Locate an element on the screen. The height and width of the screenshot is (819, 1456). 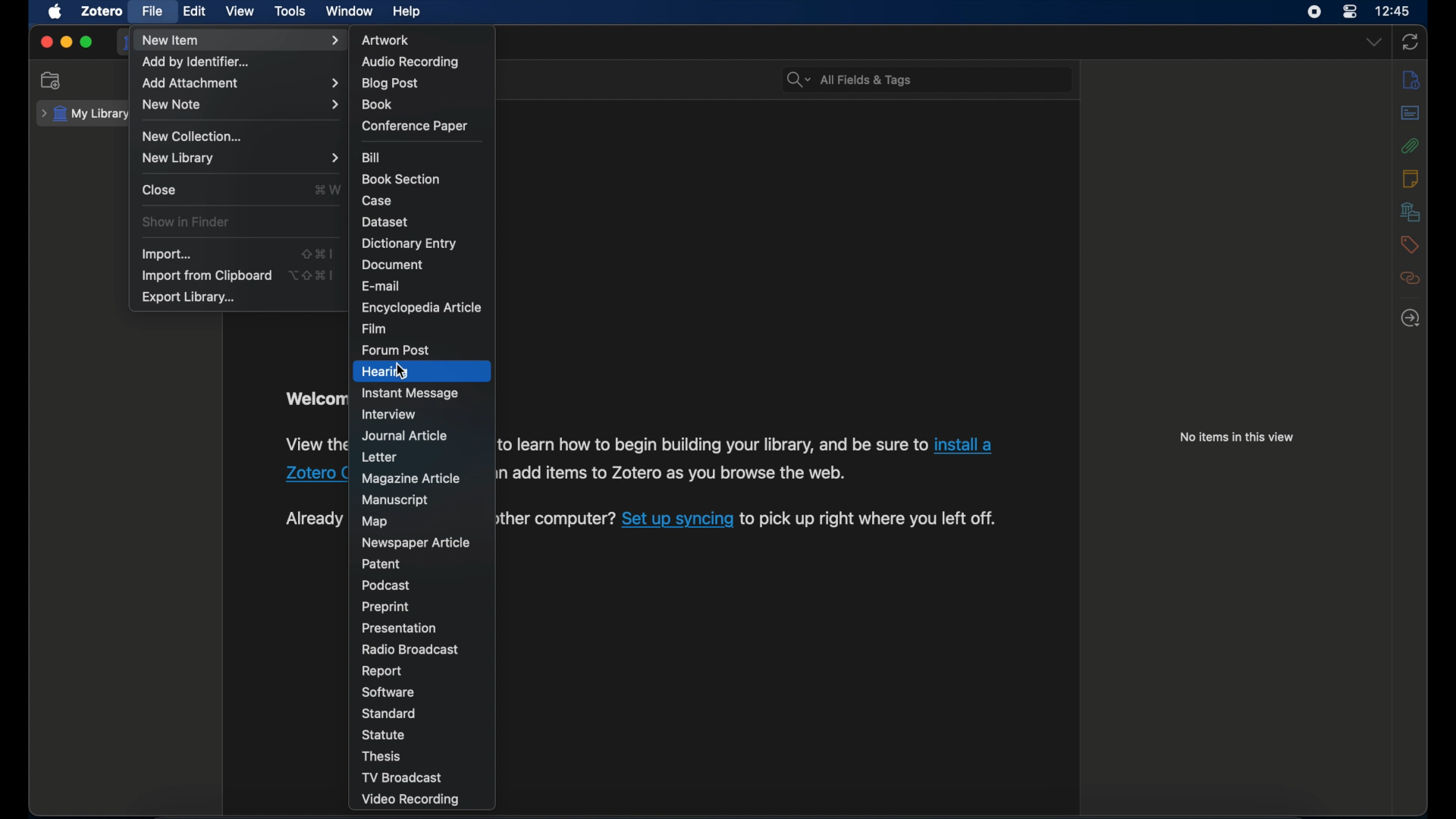
no items this view is located at coordinates (1236, 437).